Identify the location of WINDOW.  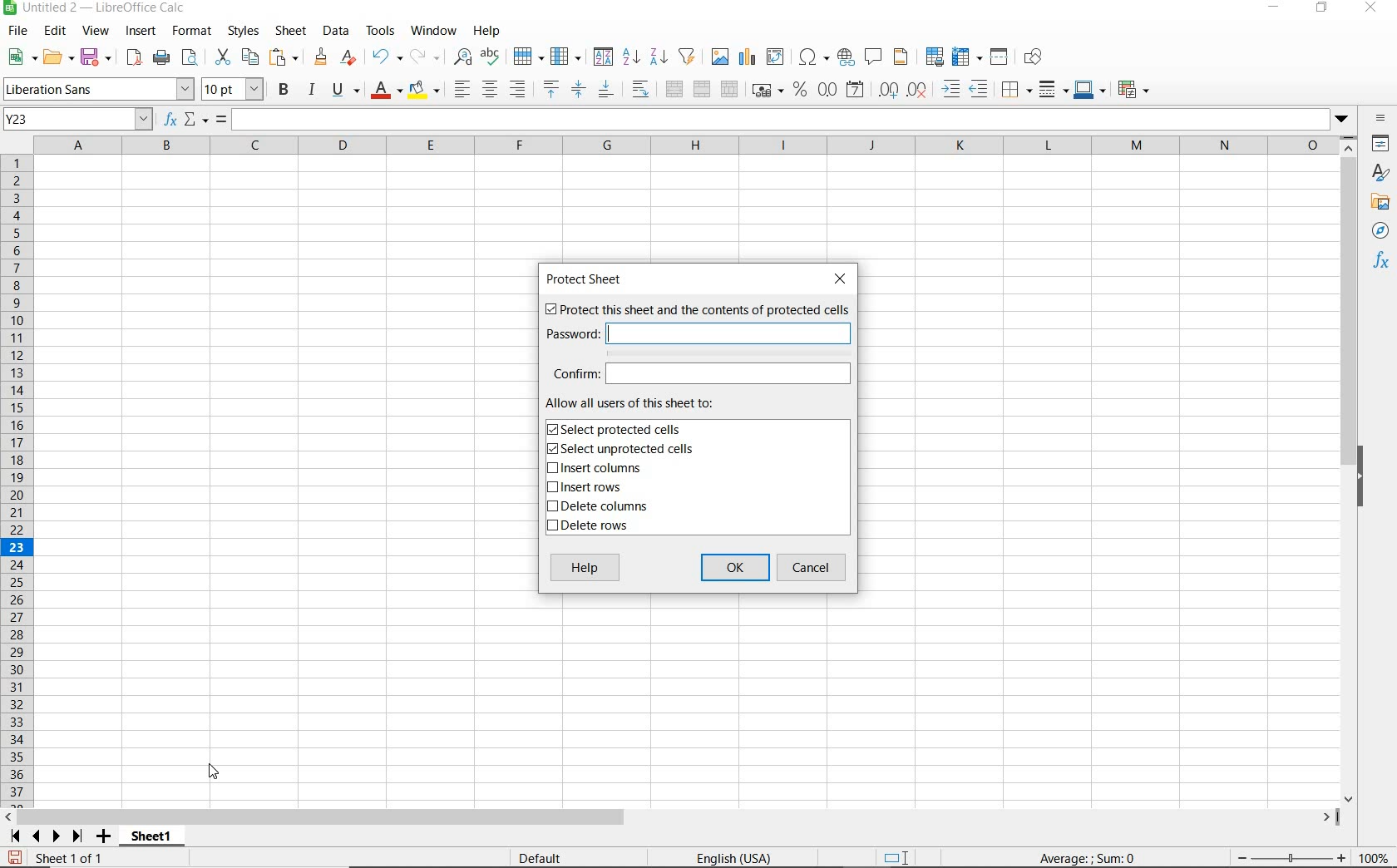
(433, 31).